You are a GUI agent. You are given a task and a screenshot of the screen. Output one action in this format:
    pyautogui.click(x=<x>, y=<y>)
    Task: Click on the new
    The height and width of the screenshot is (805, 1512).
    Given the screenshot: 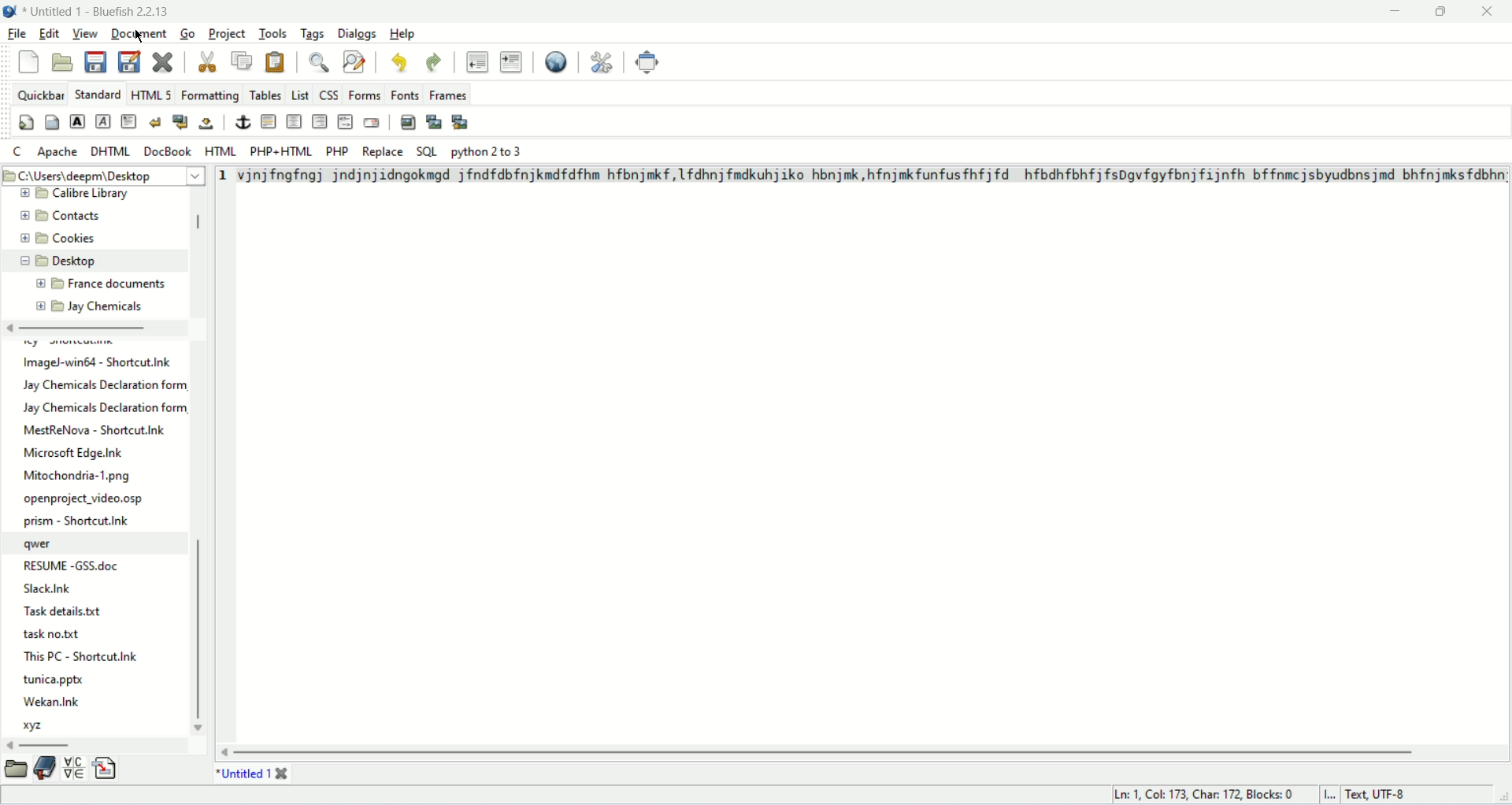 What is the action you would take?
    pyautogui.click(x=28, y=61)
    